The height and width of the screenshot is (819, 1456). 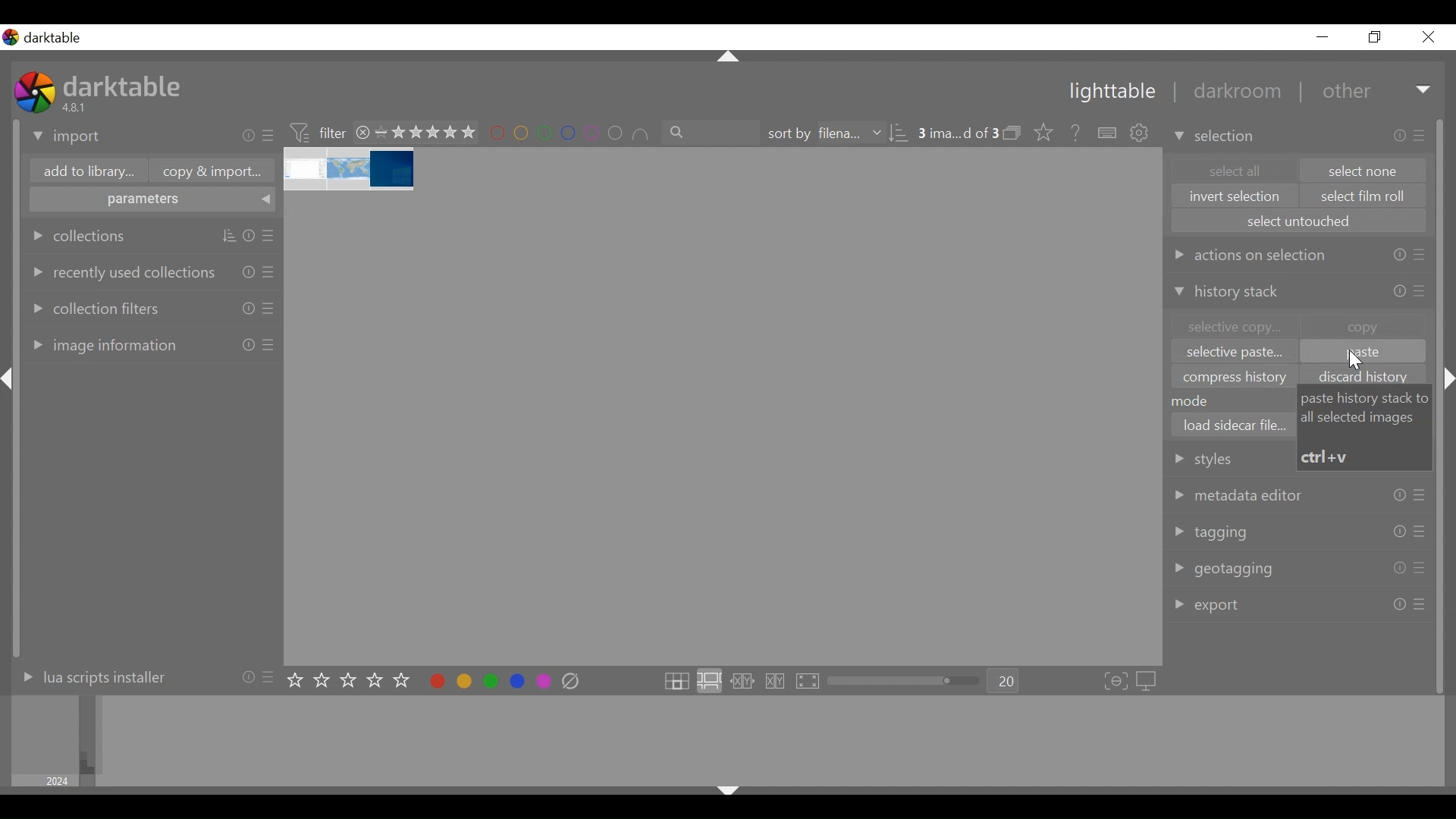 I want to click on image stack, so click(x=351, y=170).